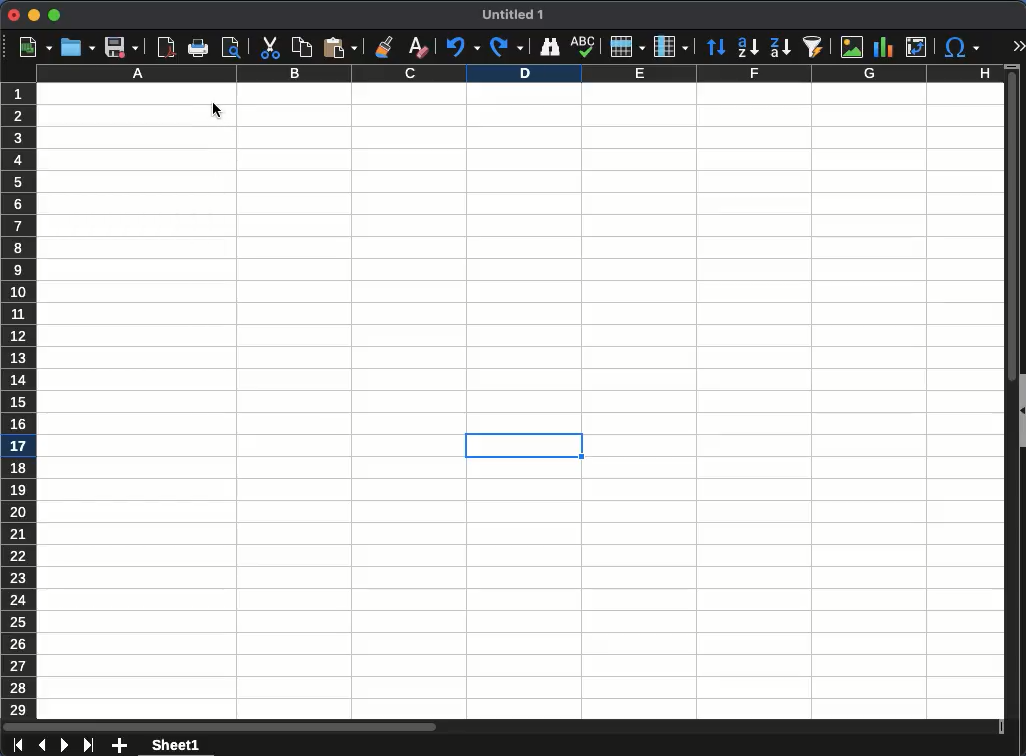 The height and width of the screenshot is (756, 1026). What do you see at coordinates (520, 75) in the screenshot?
I see `column` at bounding box center [520, 75].